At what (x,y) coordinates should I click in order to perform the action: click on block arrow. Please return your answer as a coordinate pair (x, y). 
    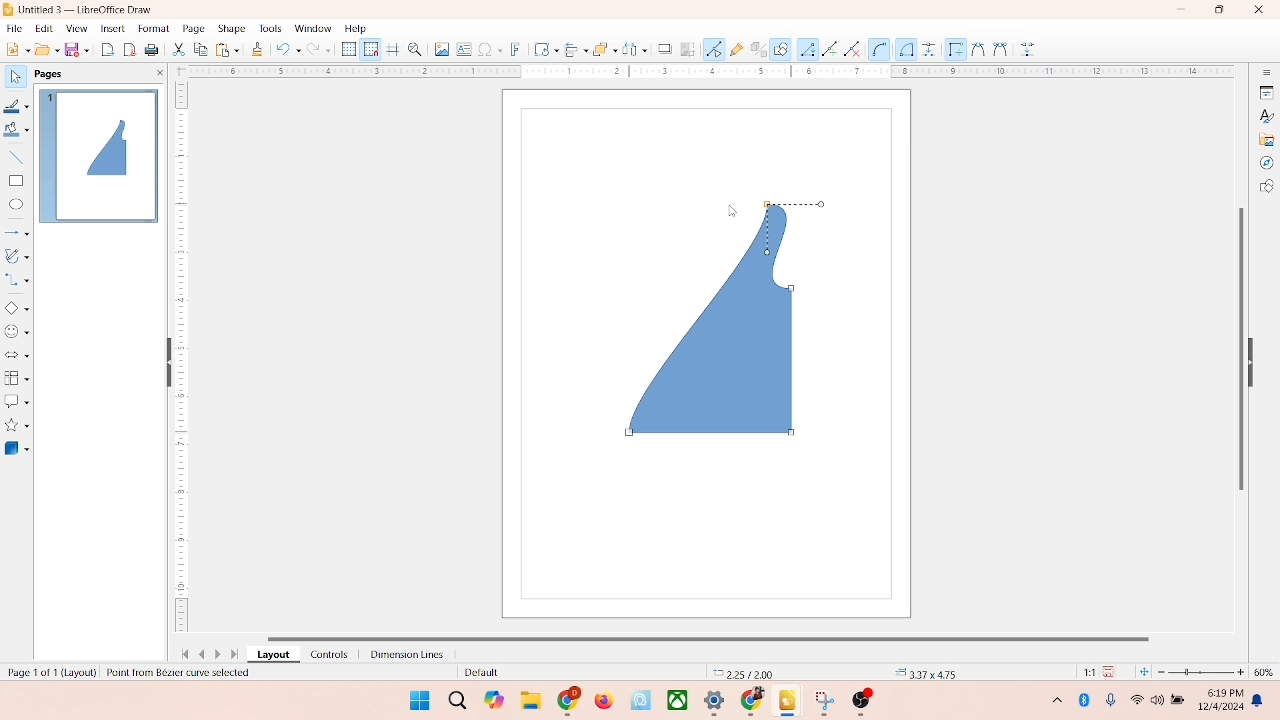
    Looking at the image, I should click on (17, 356).